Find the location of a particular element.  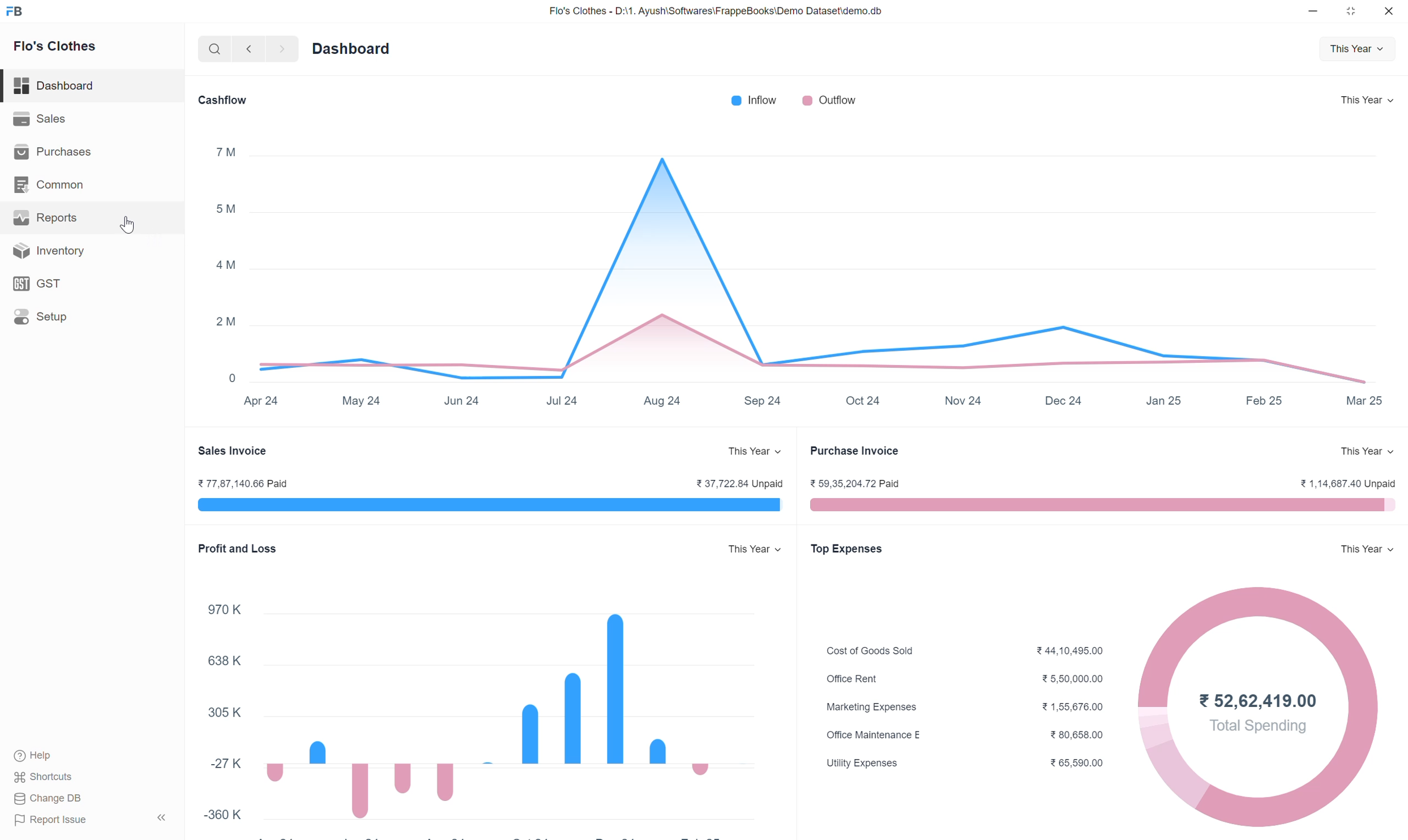

Bar is located at coordinates (1103, 506).